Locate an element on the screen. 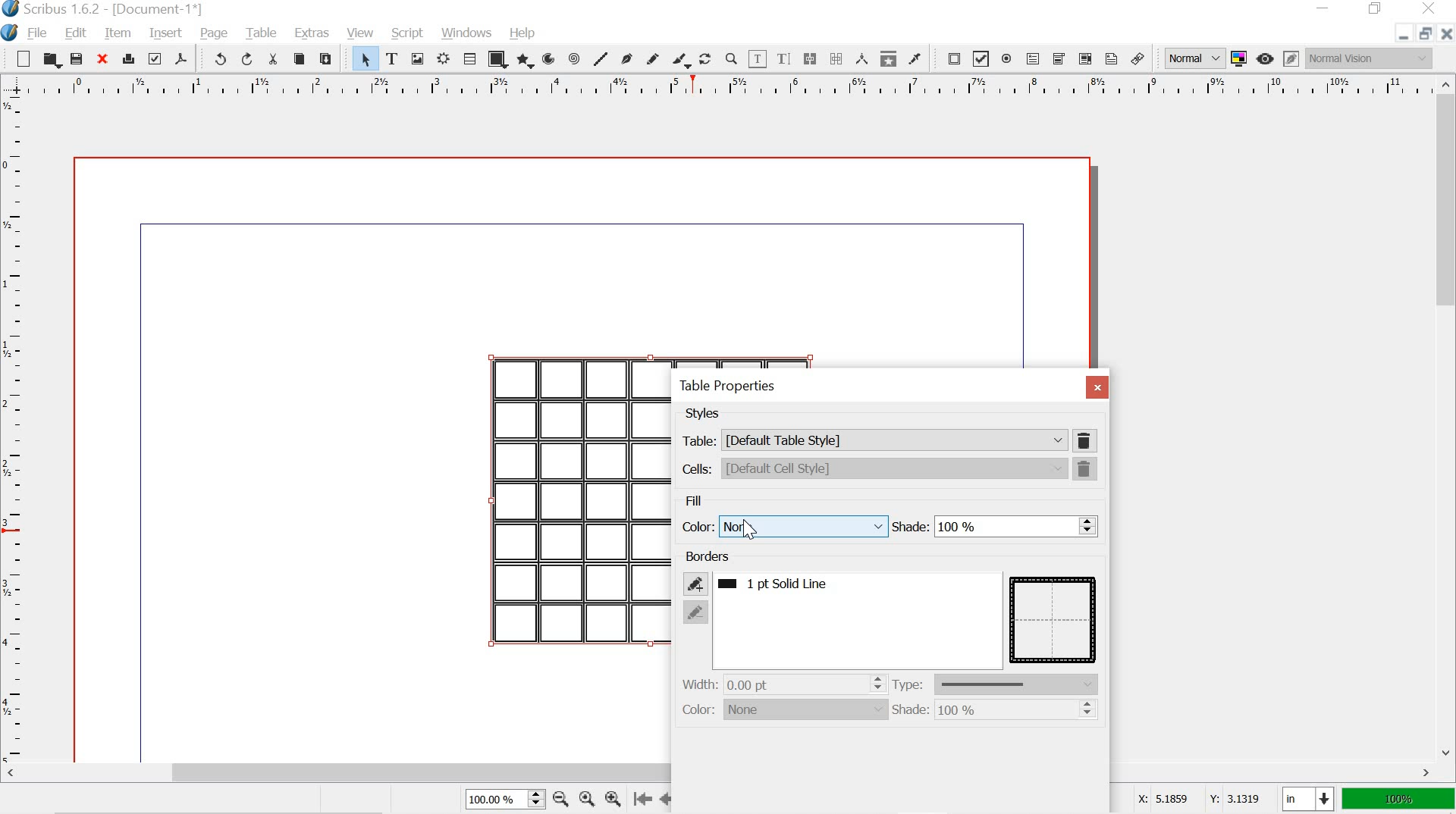 The height and width of the screenshot is (814, 1456). new is located at coordinates (22, 58).